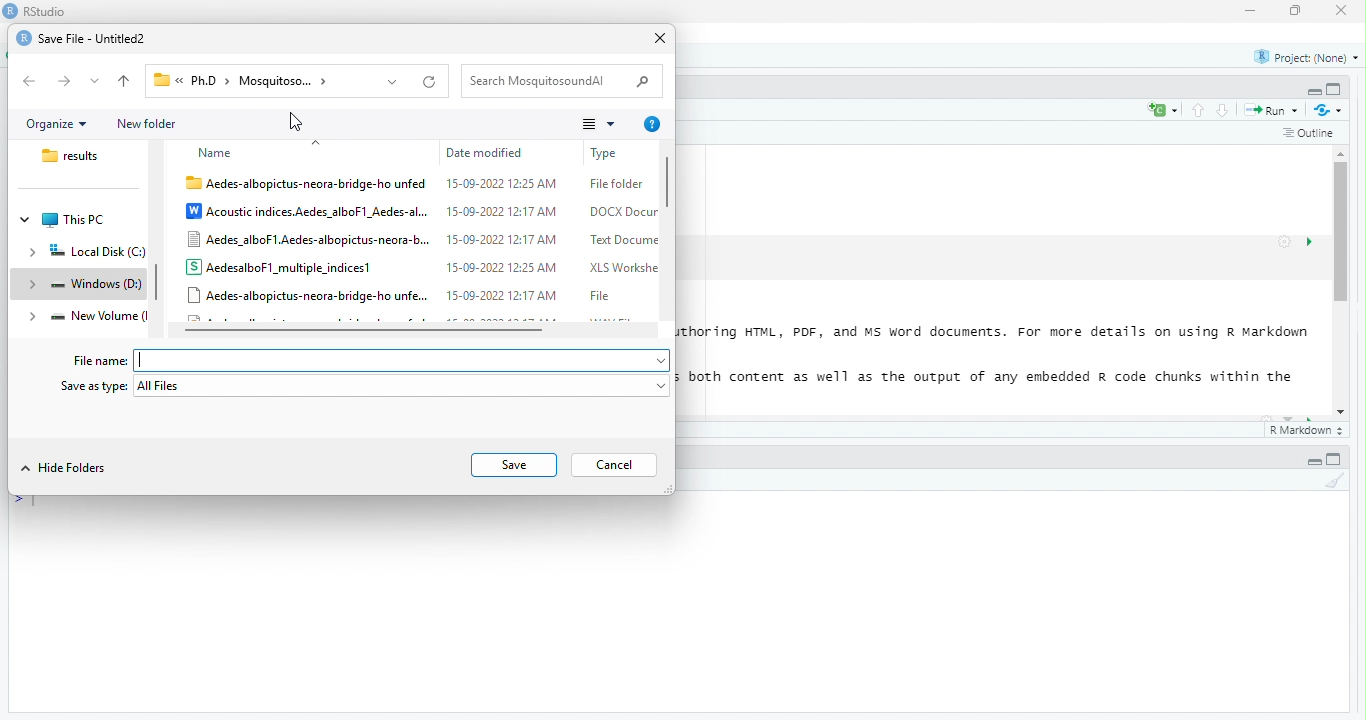 The height and width of the screenshot is (720, 1366). Describe the element at coordinates (93, 40) in the screenshot. I see `Save File - Untitled2` at that location.